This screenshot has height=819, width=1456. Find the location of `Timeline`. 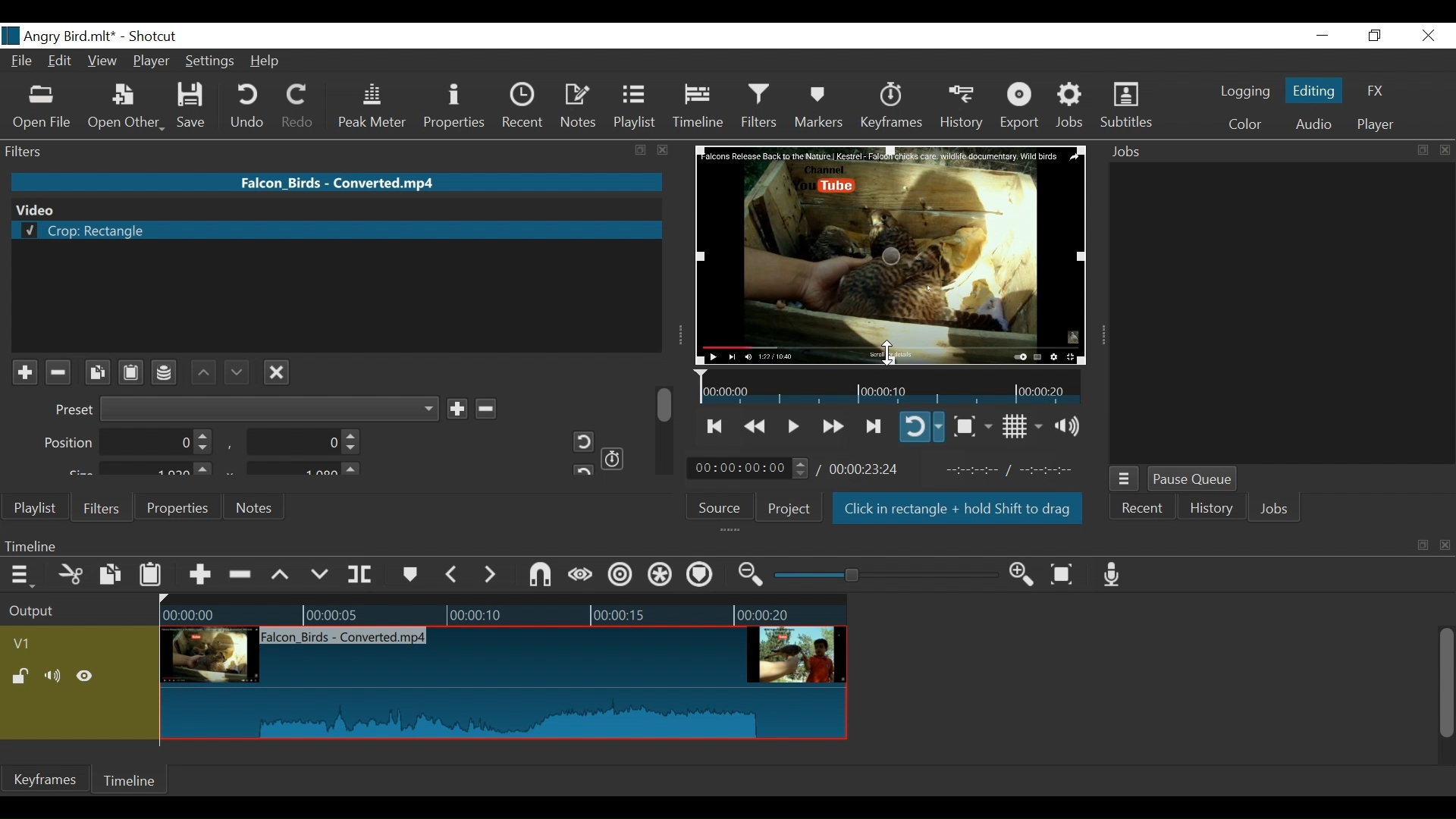

Timeline is located at coordinates (131, 780).